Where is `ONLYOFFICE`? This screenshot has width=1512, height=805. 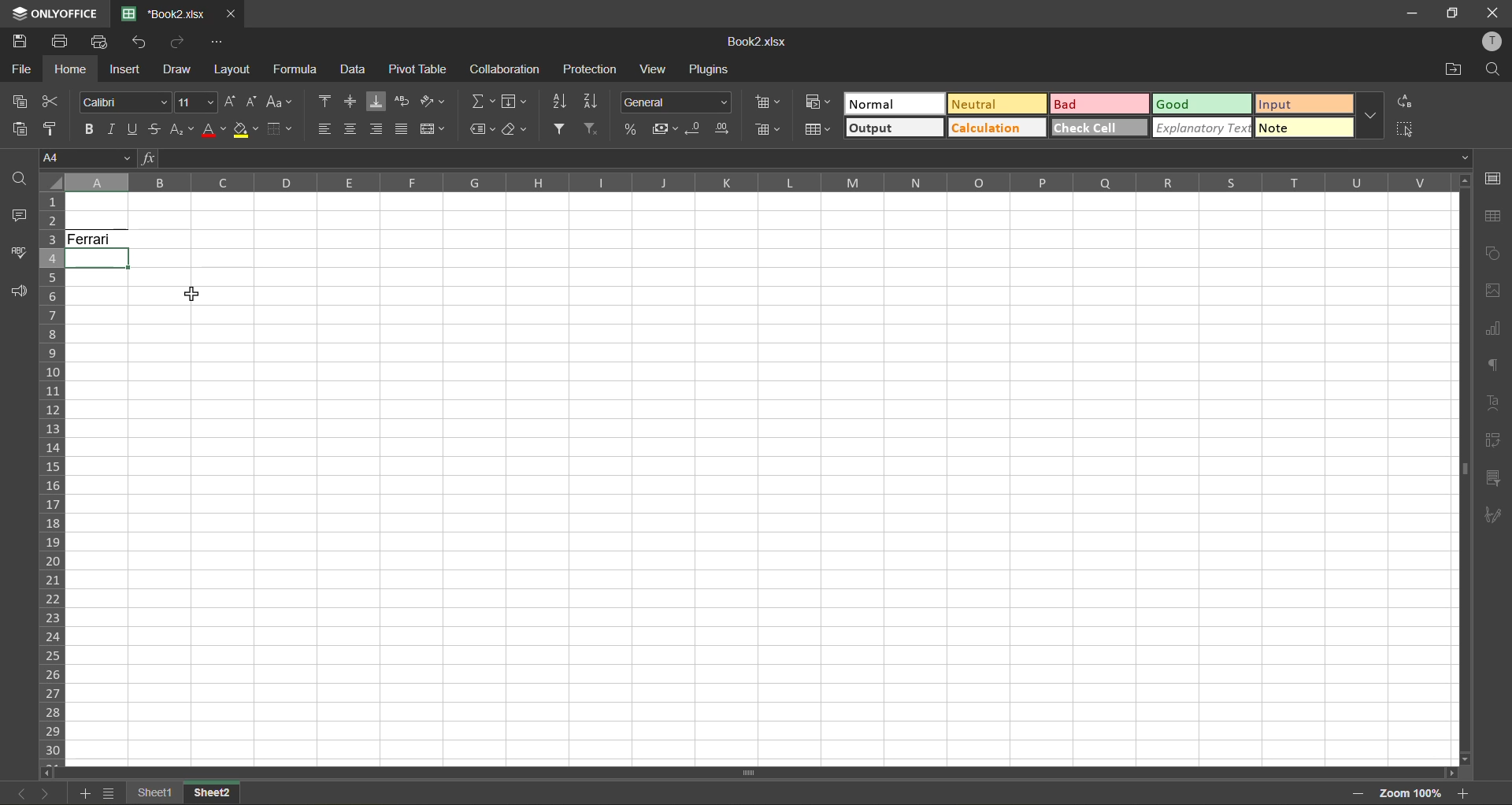
ONLYOFFICE is located at coordinates (52, 11).